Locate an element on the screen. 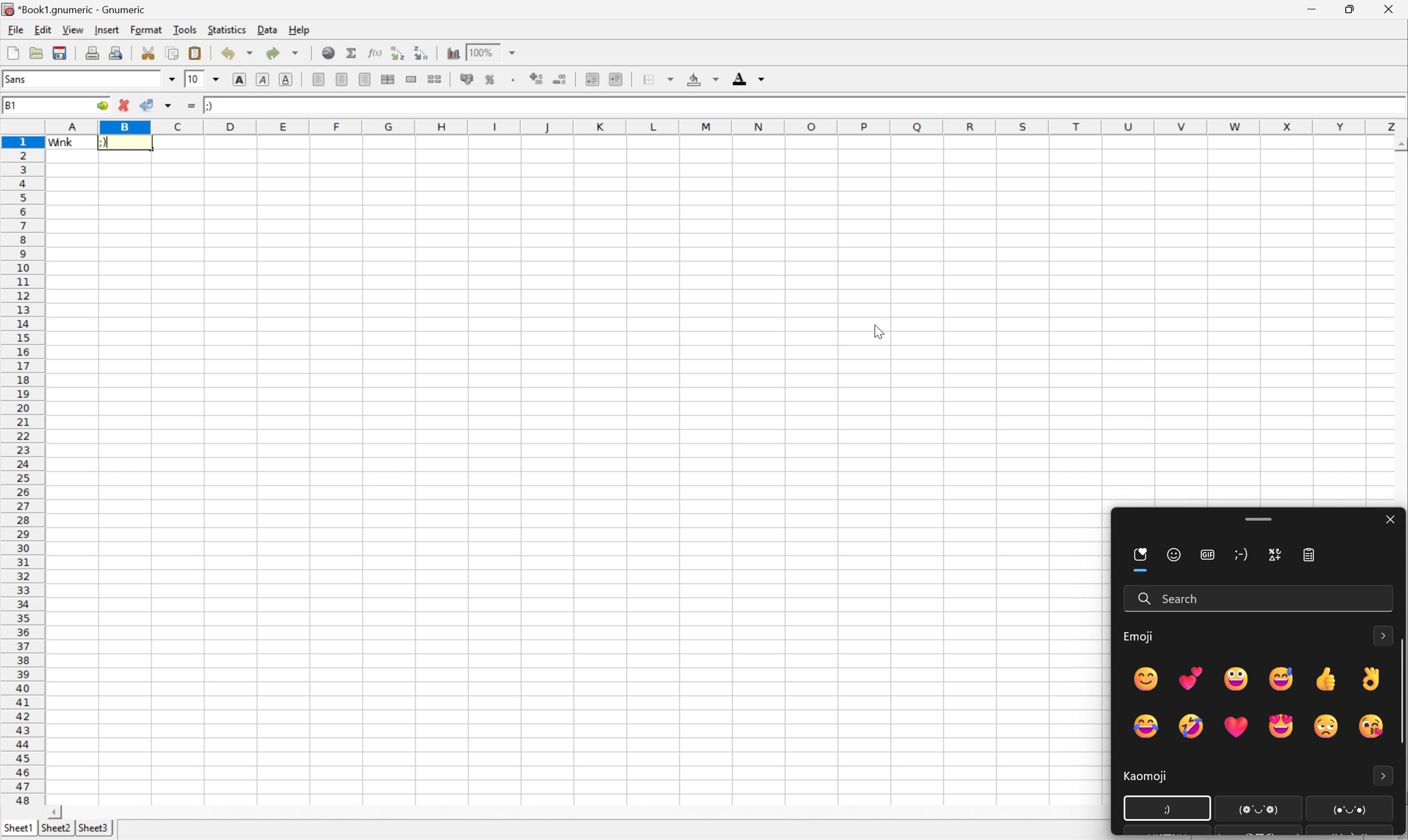 The height and width of the screenshot is (840, 1408). sheet1 is located at coordinates (18, 826).